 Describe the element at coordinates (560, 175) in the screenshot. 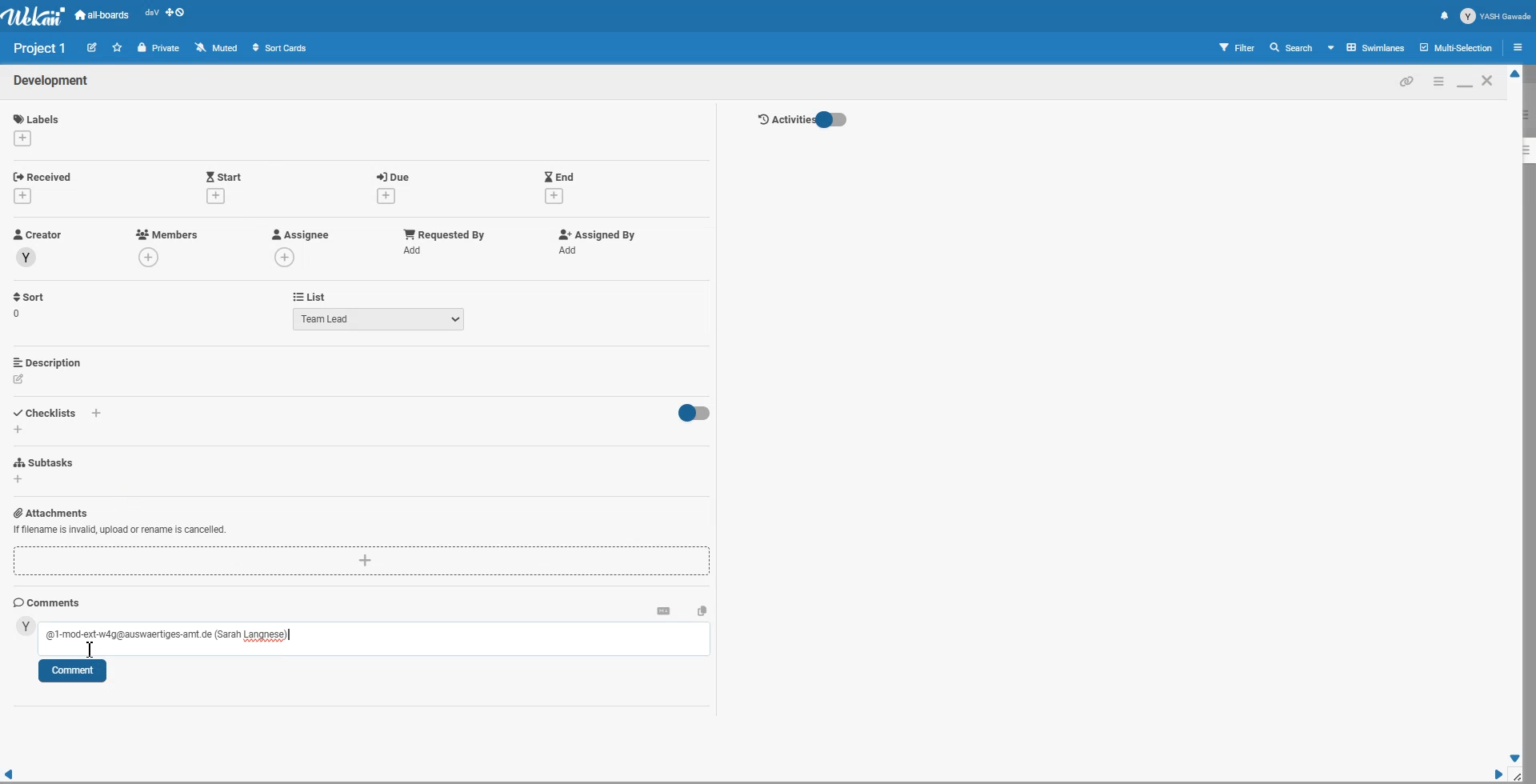

I see `Add End Date` at that location.